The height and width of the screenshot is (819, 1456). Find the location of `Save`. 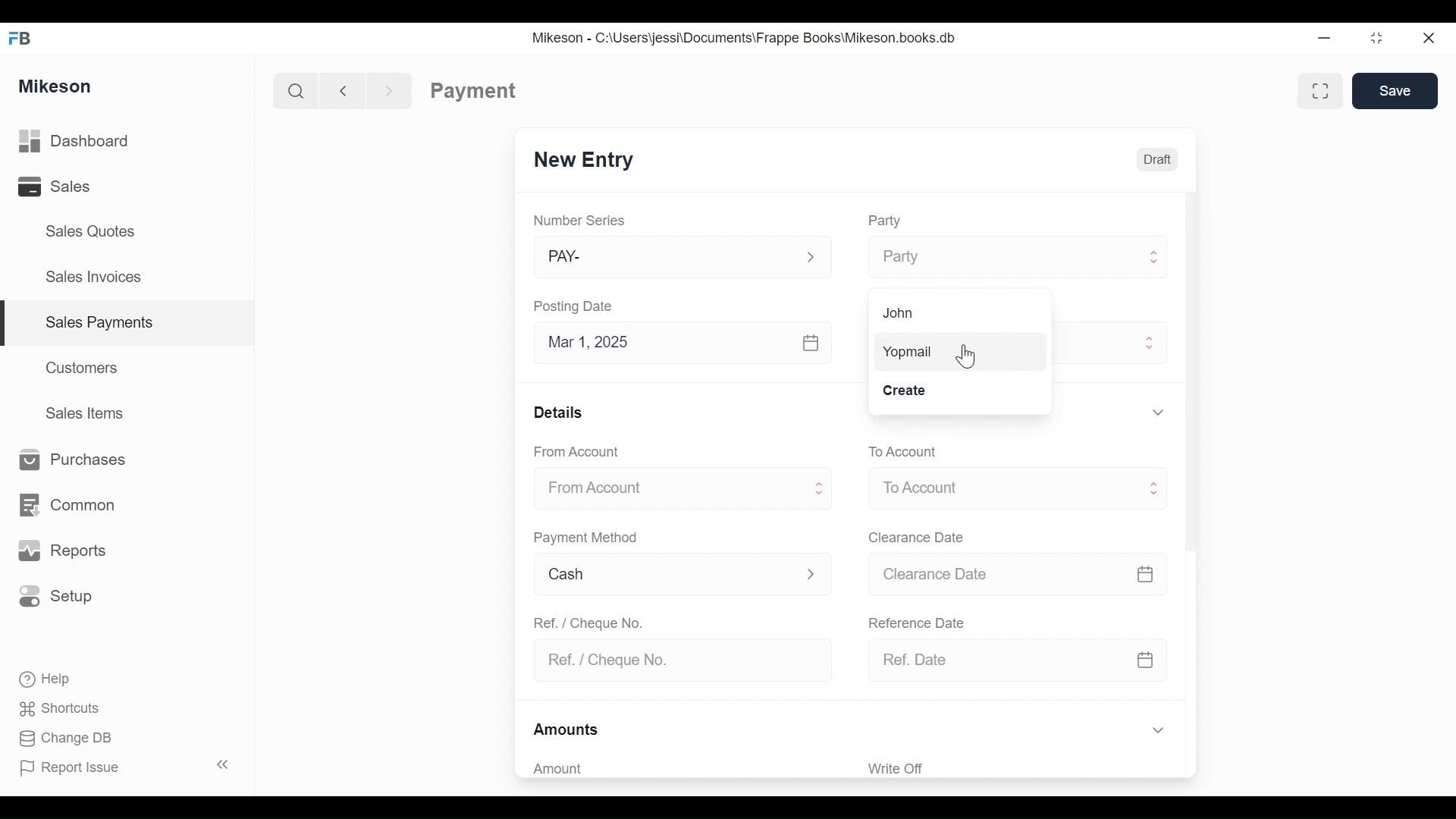

Save is located at coordinates (1398, 92).